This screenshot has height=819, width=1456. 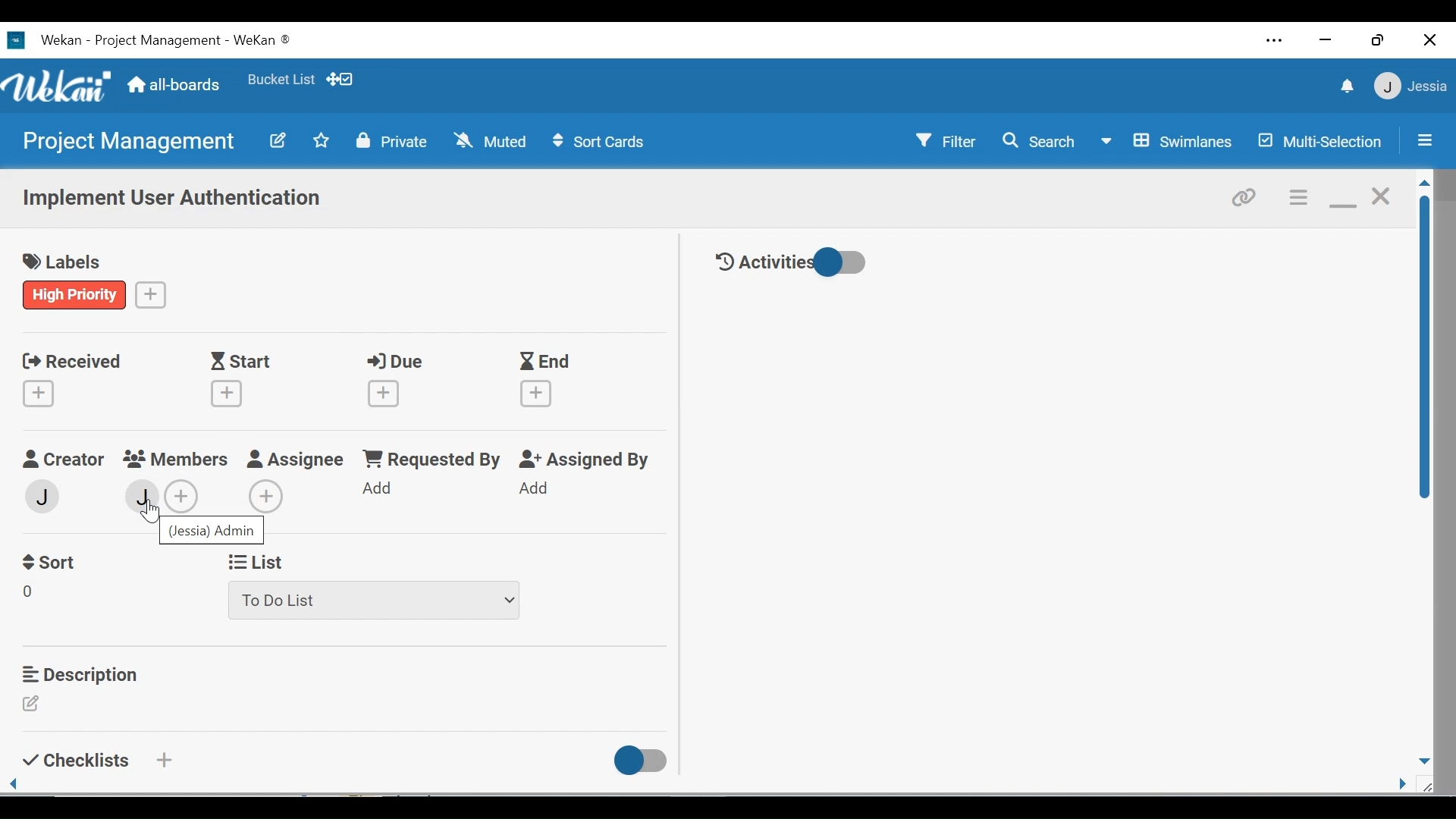 What do you see at coordinates (152, 293) in the screenshot?
I see `add` at bounding box center [152, 293].